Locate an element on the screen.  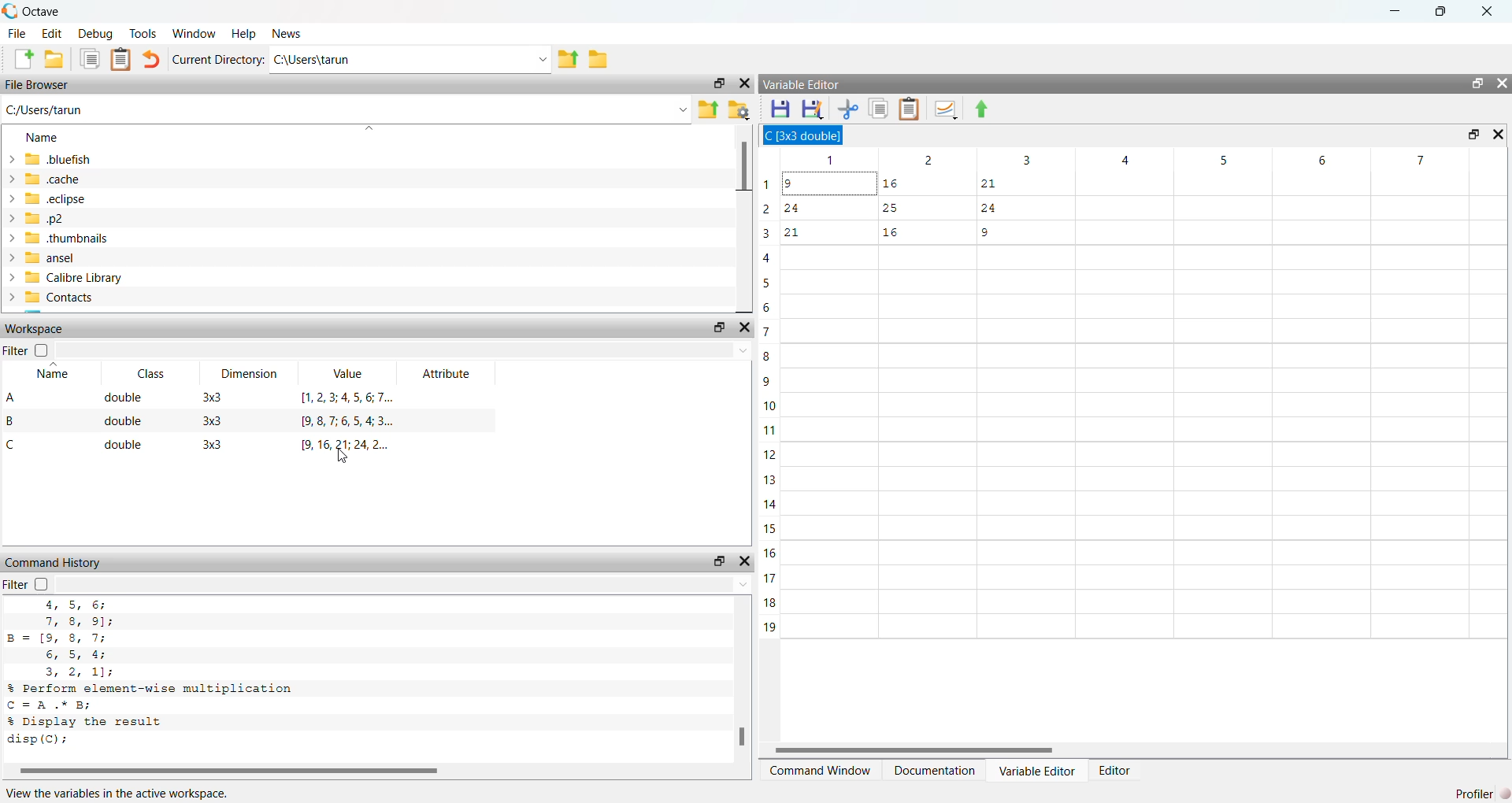
Tools is located at coordinates (143, 32).